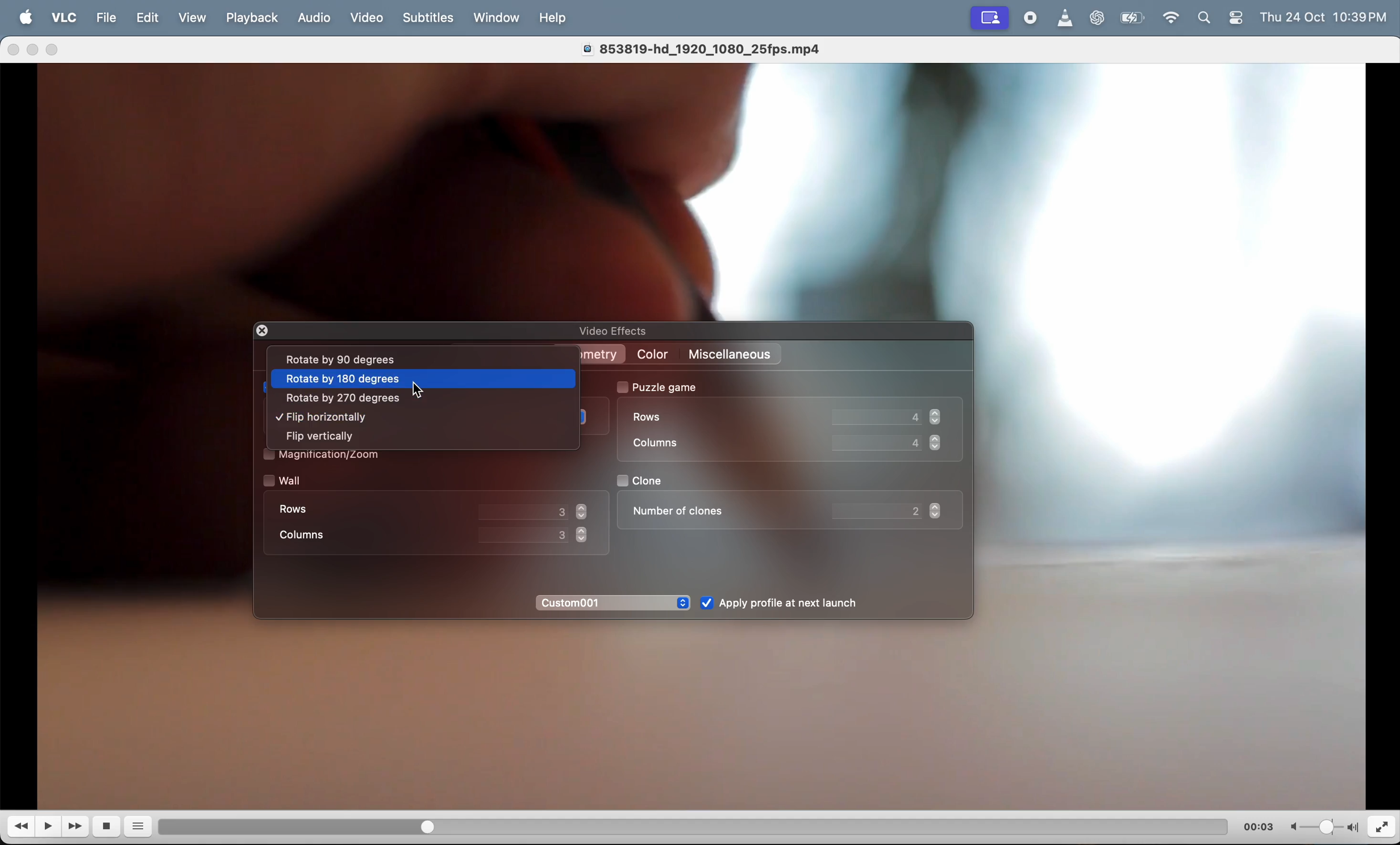 The width and height of the screenshot is (1400, 845). Describe the element at coordinates (1382, 826) in the screenshot. I see `` at that location.